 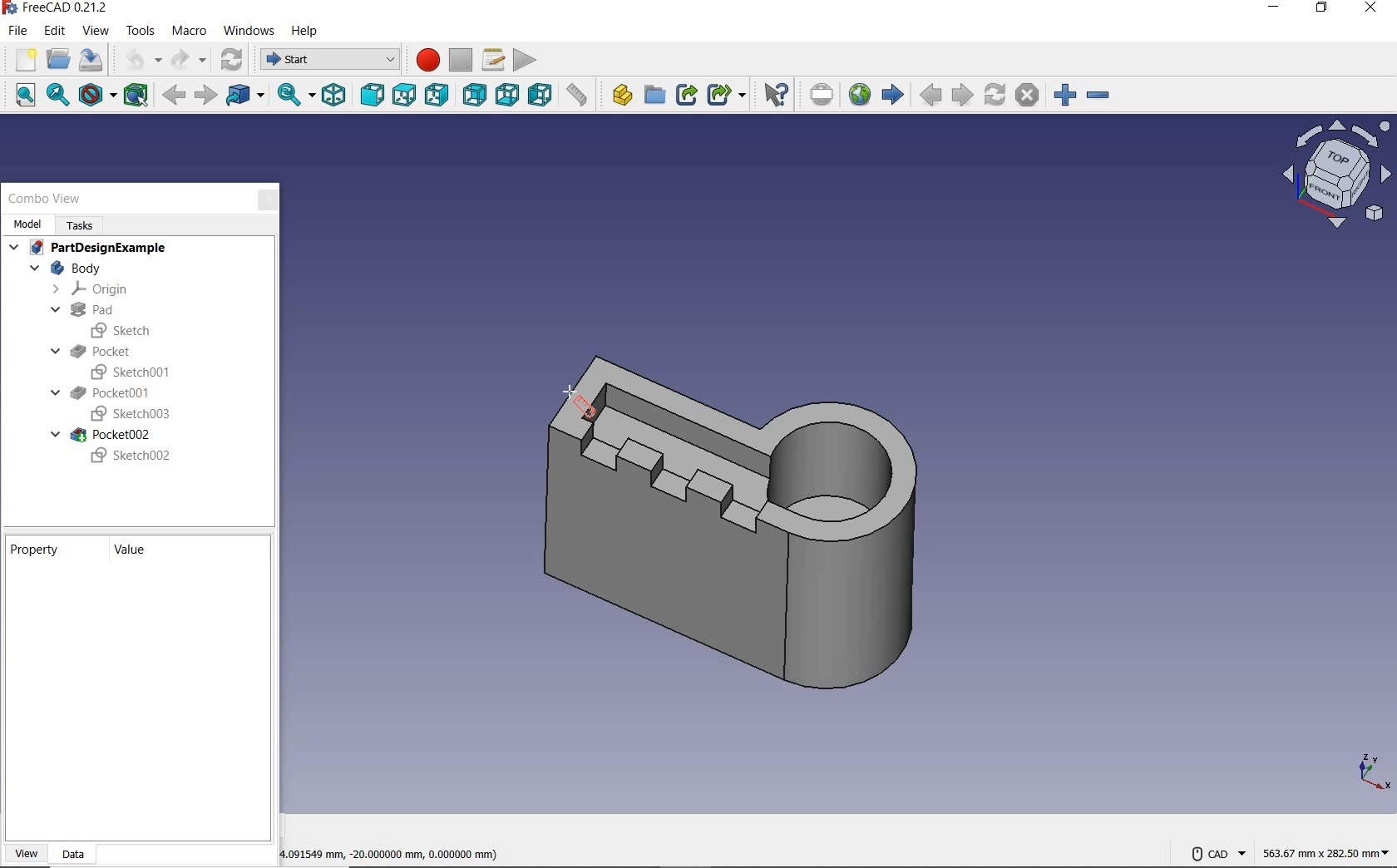 What do you see at coordinates (124, 330) in the screenshot?
I see `SKETCH` at bounding box center [124, 330].